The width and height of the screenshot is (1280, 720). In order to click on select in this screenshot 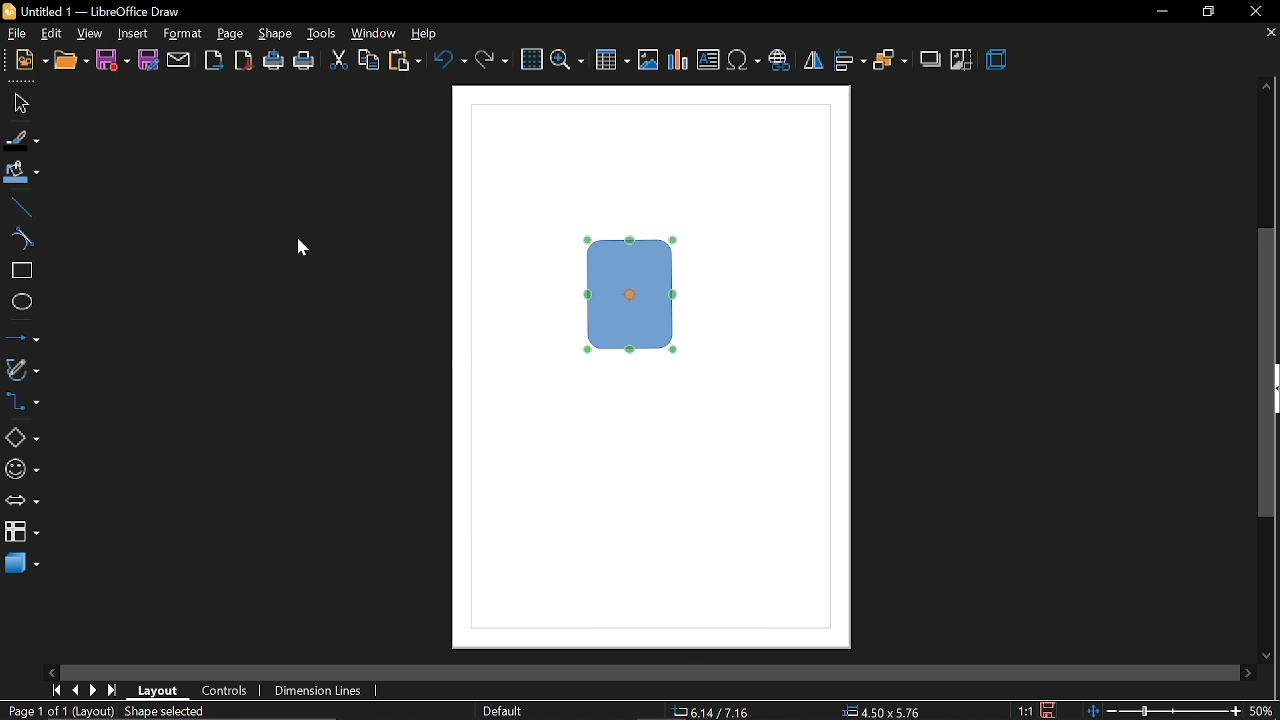, I will do `click(17, 104)`.